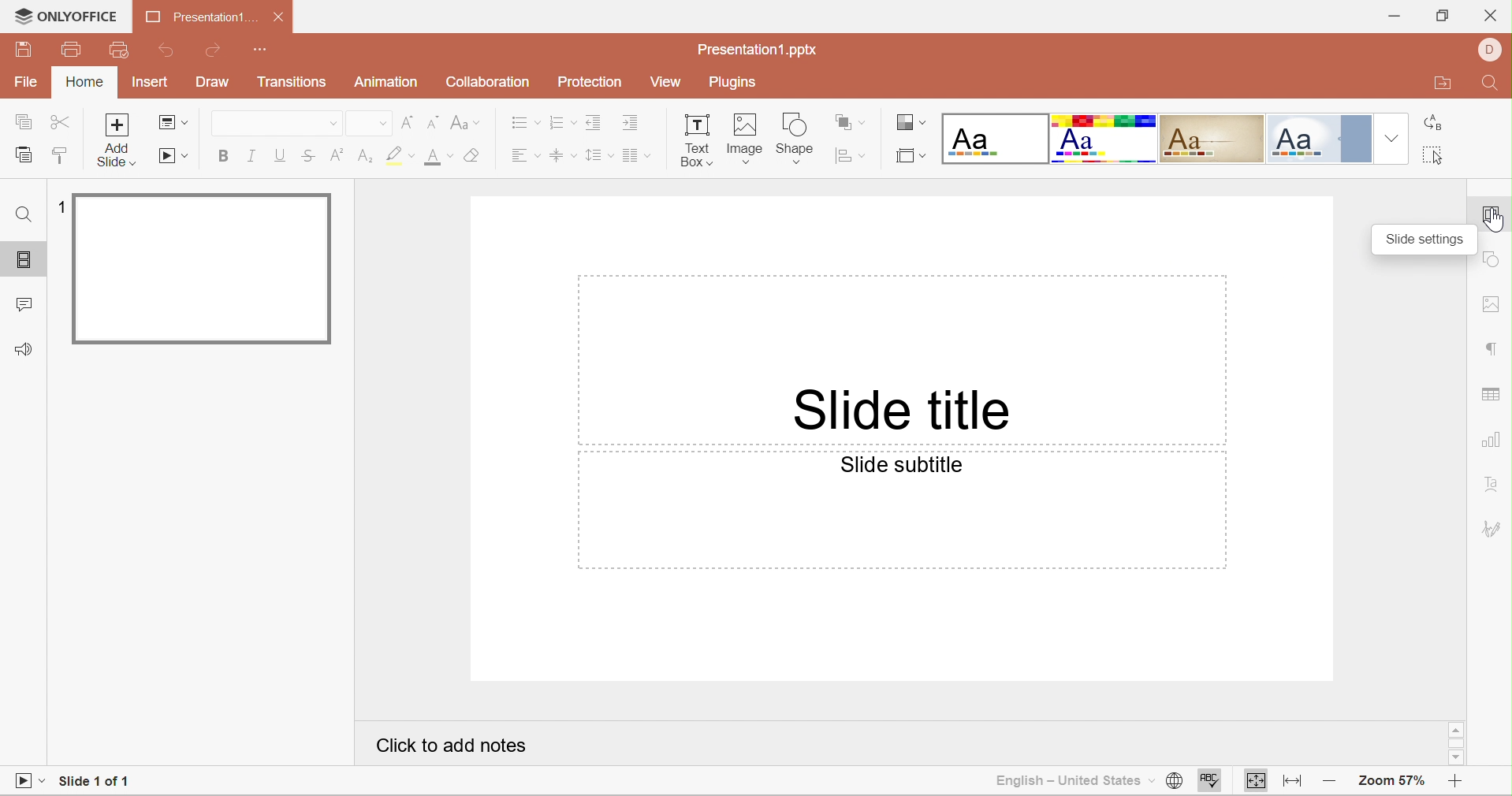 The height and width of the screenshot is (796, 1512). I want to click on table settings, so click(1492, 391).